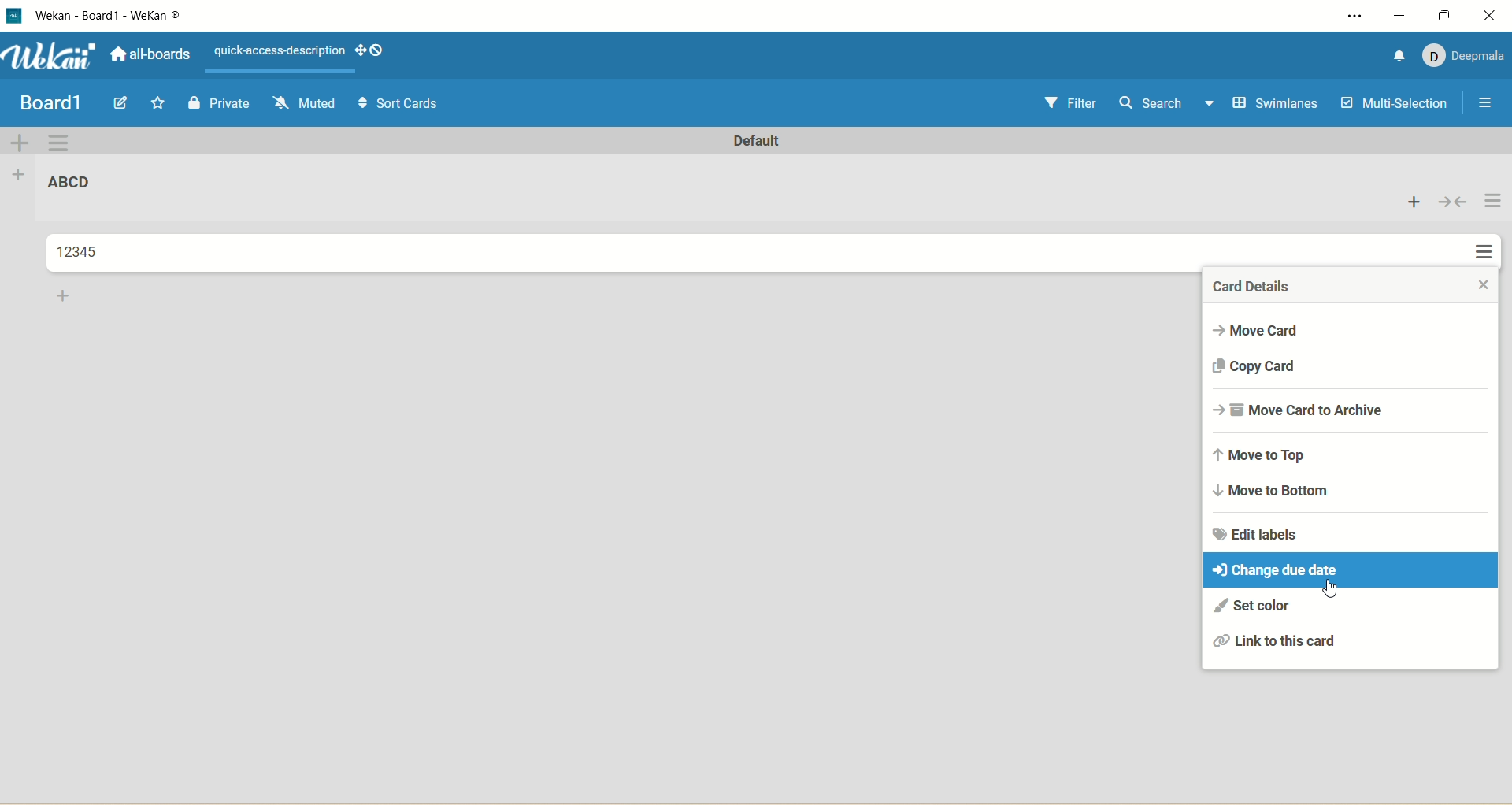 The width and height of the screenshot is (1512, 805). Describe the element at coordinates (1278, 643) in the screenshot. I see `link to this card` at that location.